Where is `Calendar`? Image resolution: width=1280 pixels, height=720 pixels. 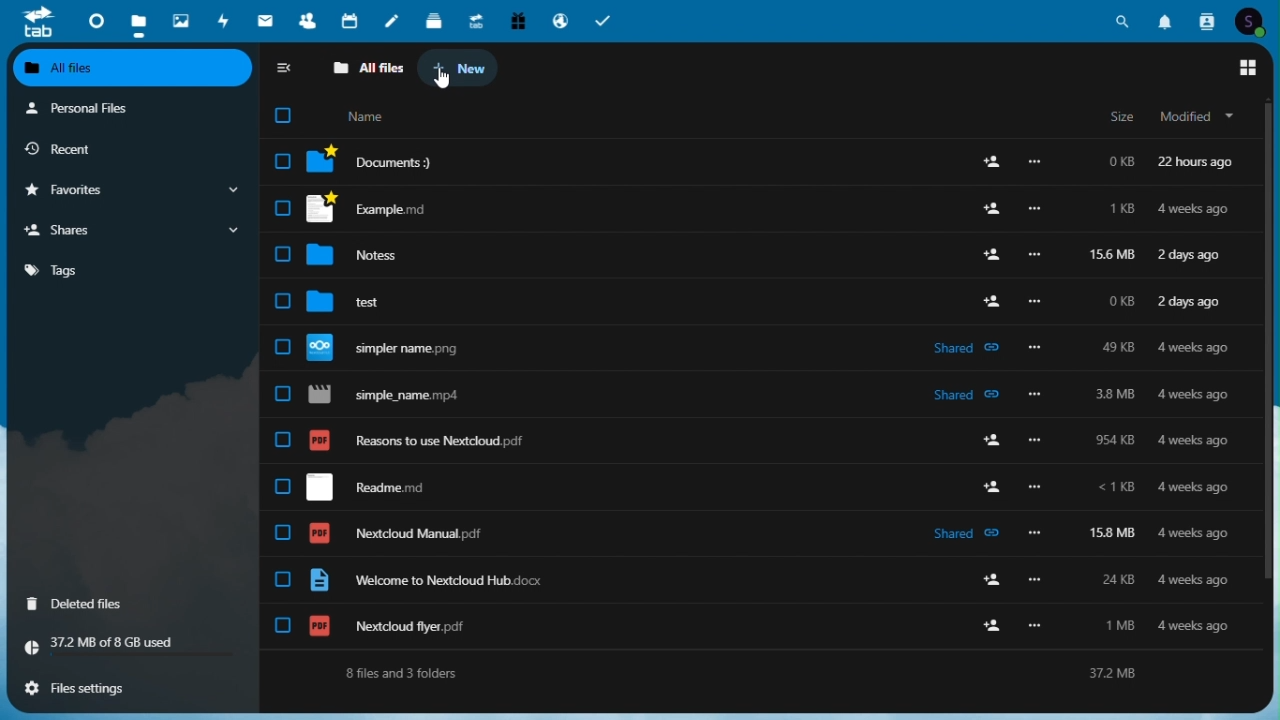 Calendar is located at coordinates (351, 20).